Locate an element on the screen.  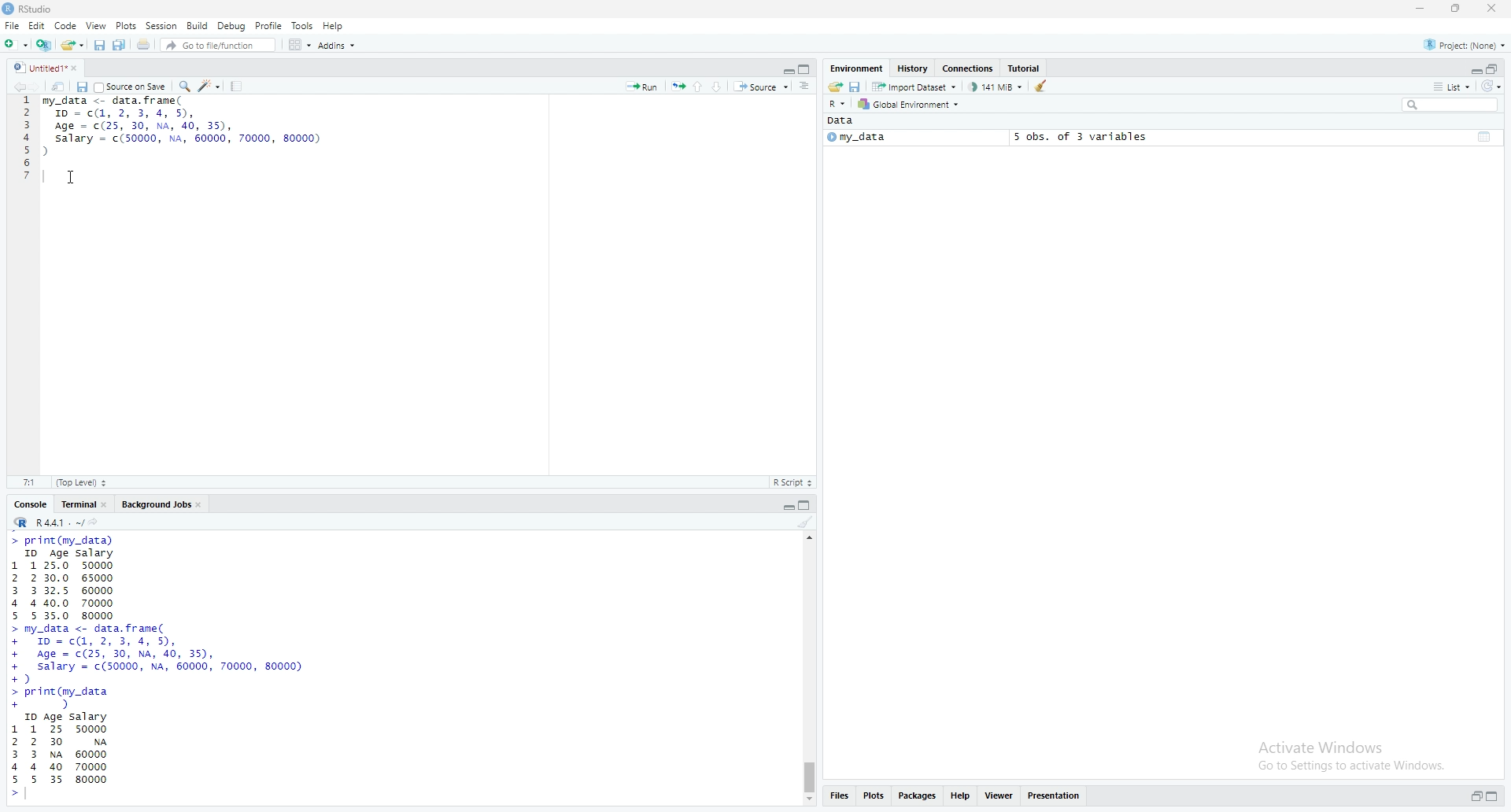
global environment is located at coordinates (911, 105).